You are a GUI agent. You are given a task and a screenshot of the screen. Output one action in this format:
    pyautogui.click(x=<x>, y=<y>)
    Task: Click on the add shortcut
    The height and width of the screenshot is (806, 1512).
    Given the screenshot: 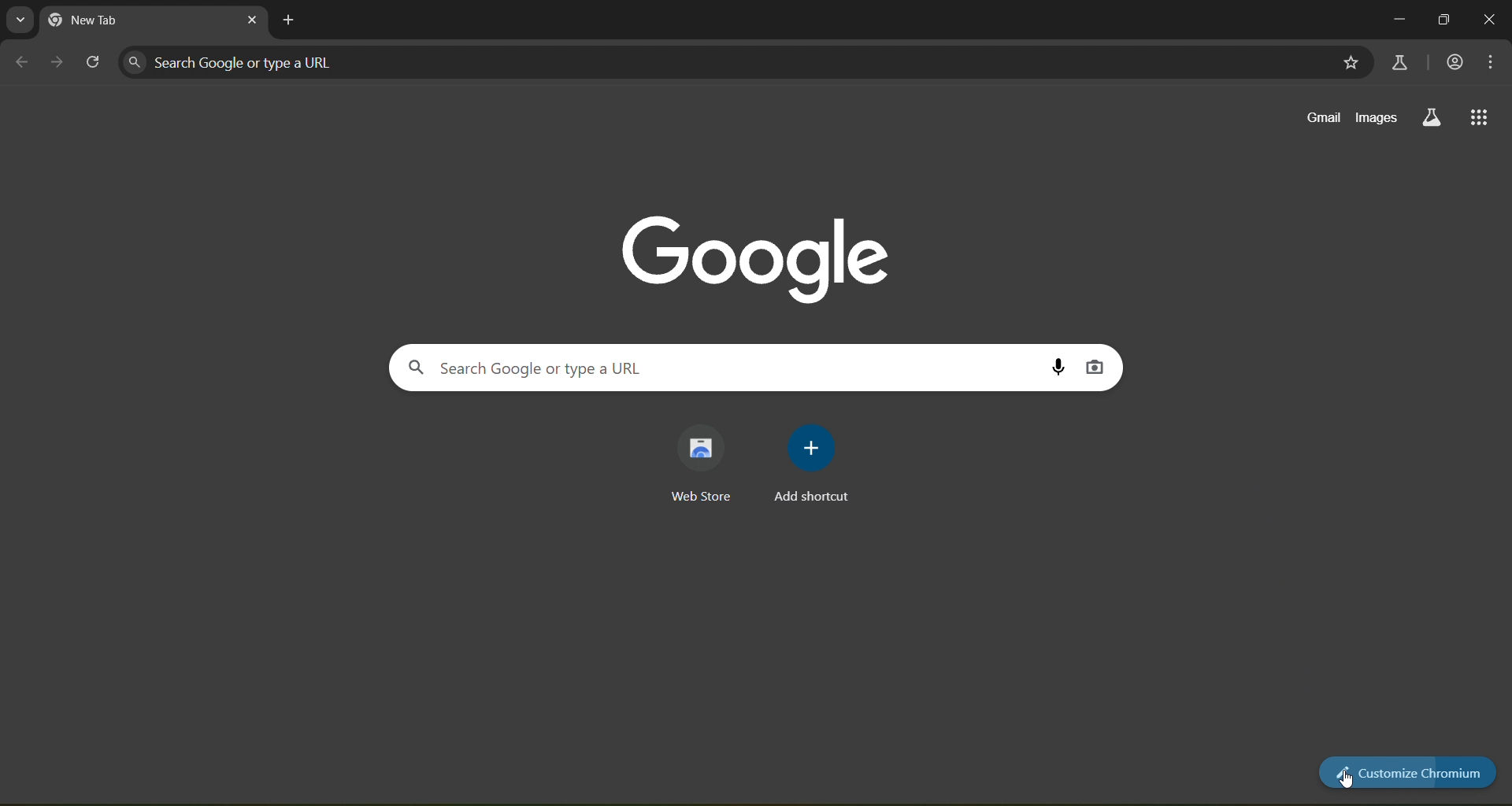 What is the action you would take?
    pyautogui.click(x=818, y=460)
    